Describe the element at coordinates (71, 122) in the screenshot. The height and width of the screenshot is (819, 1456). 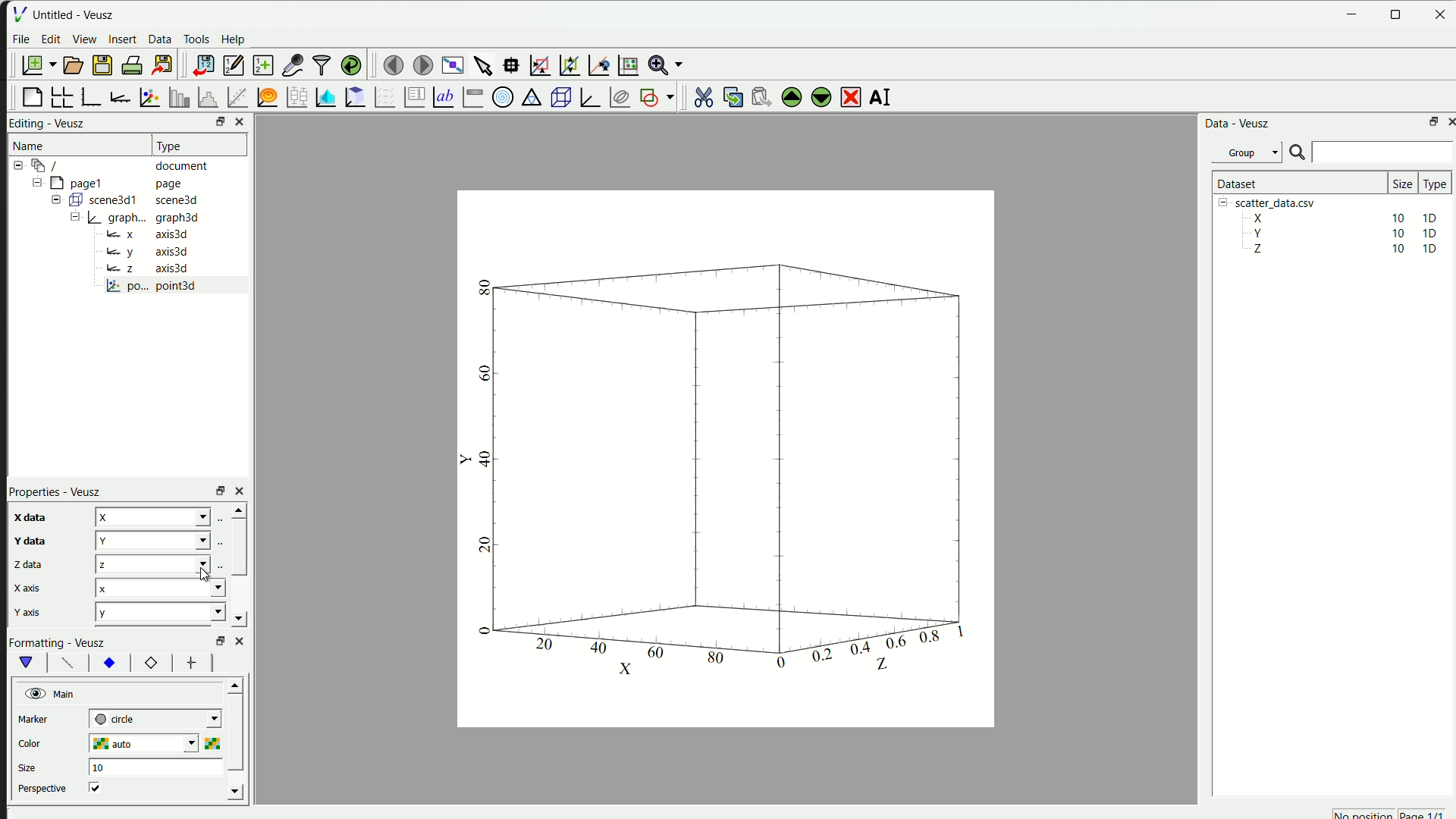
I see `Veusz` at that location.